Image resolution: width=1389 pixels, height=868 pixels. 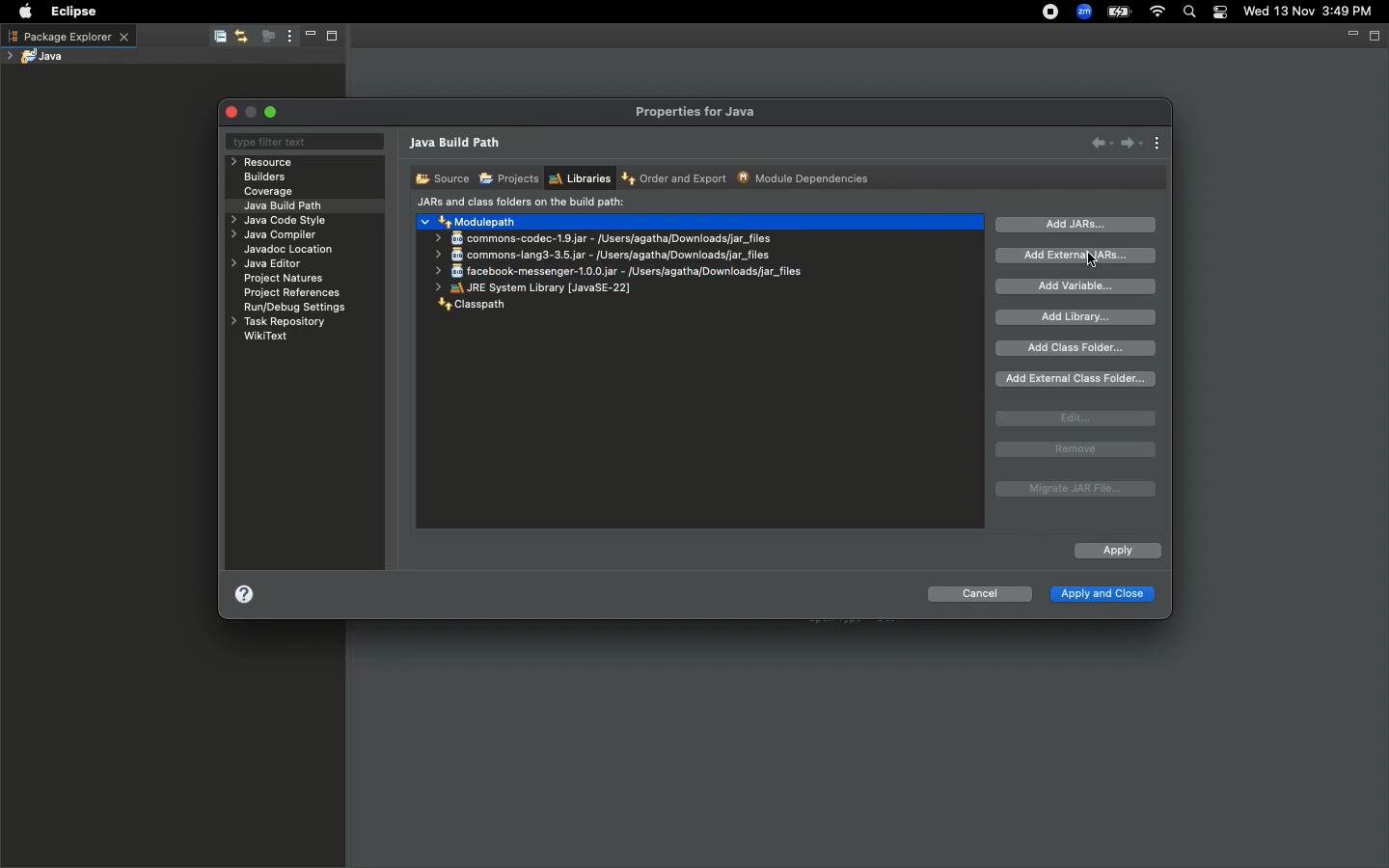 I want to click on Add library, so click(x=1078, y=317).